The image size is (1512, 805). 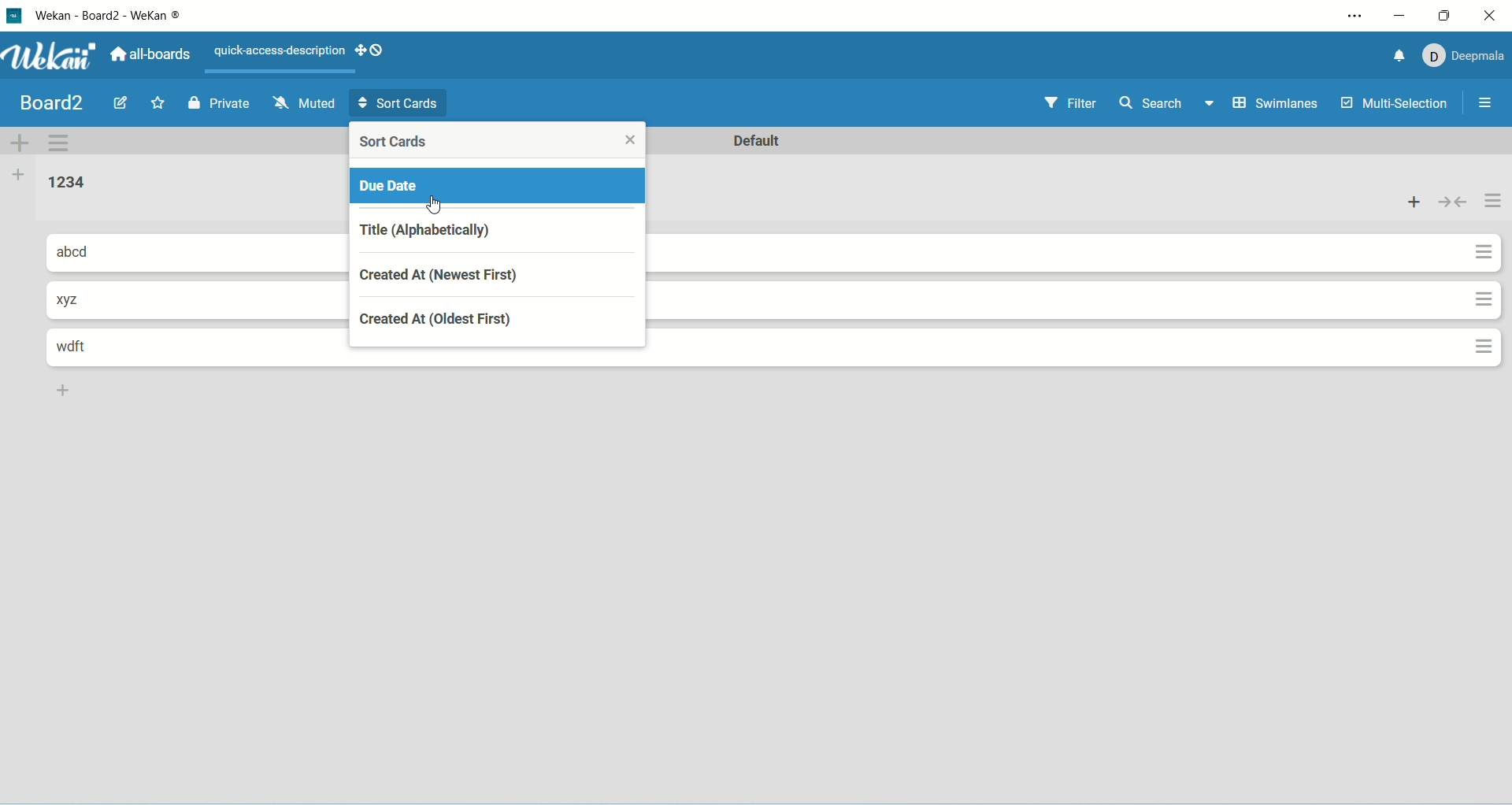 I want to click on private, so click(x=219, y=105).